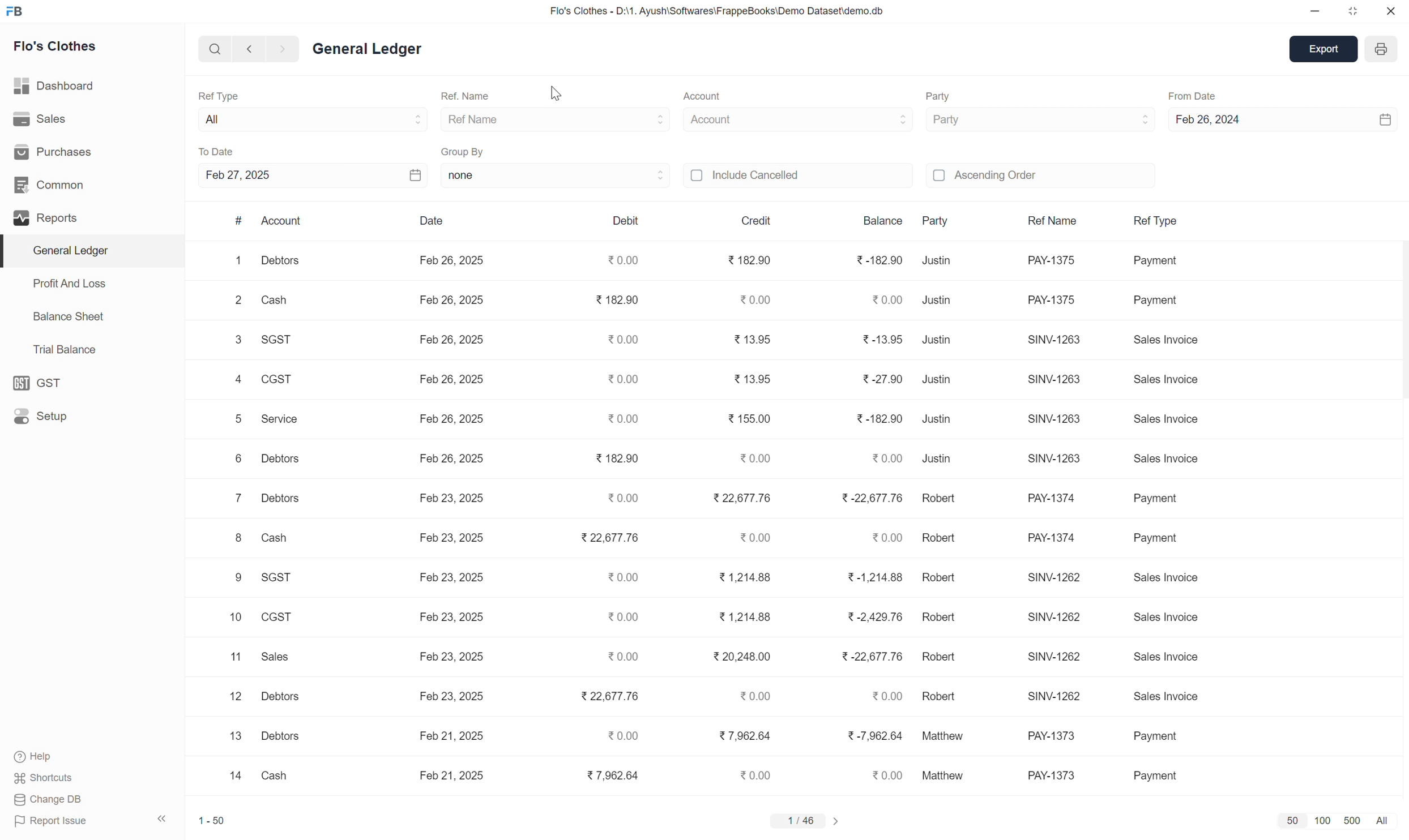 Image resolution: width=1409 pixels, height=840 pixels. Describe the element at coordinates (551, 118) in the screenshot. I see `ref name` at that location.